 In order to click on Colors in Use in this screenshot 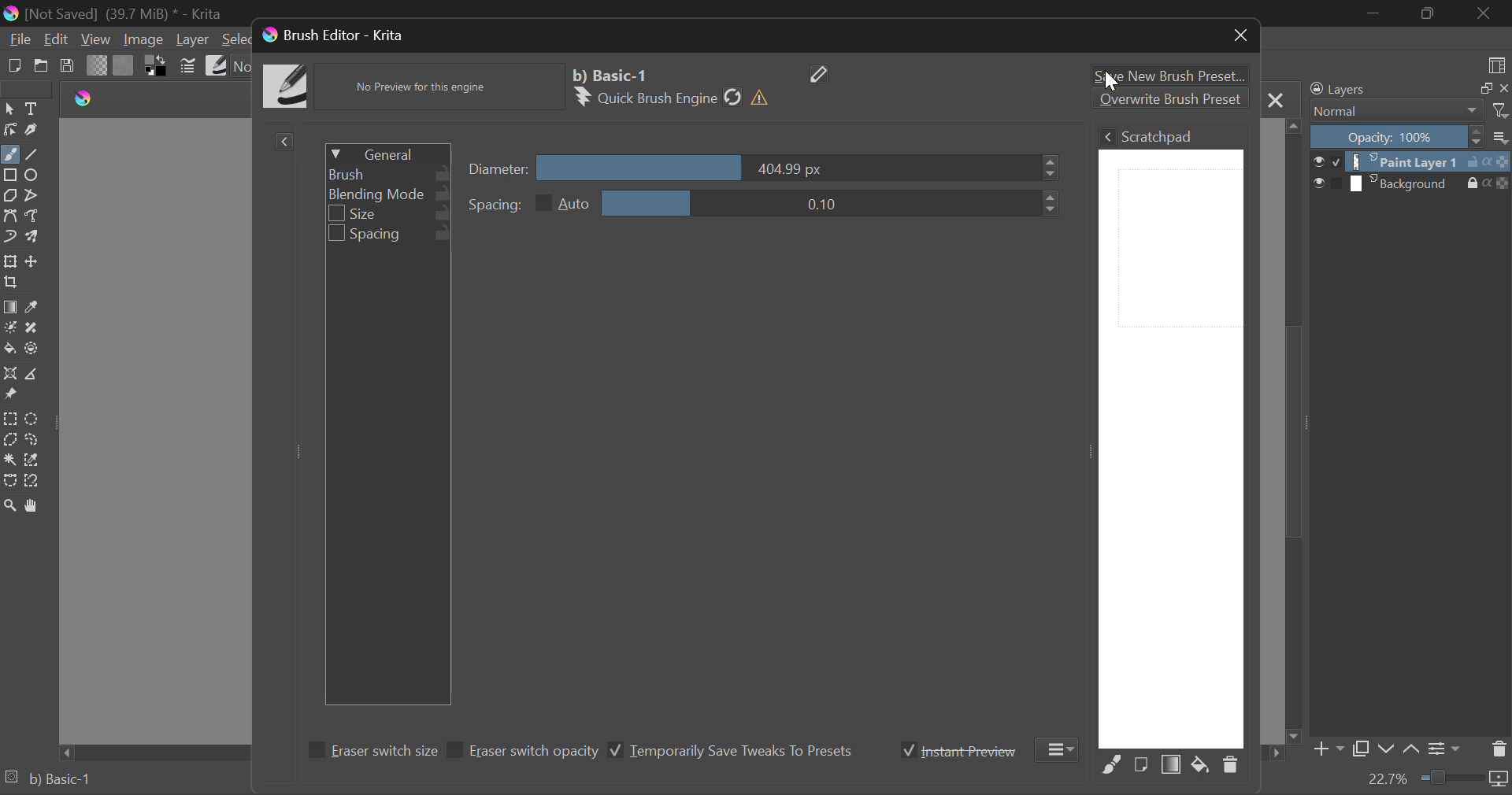, I will do `click(157, 65)`.